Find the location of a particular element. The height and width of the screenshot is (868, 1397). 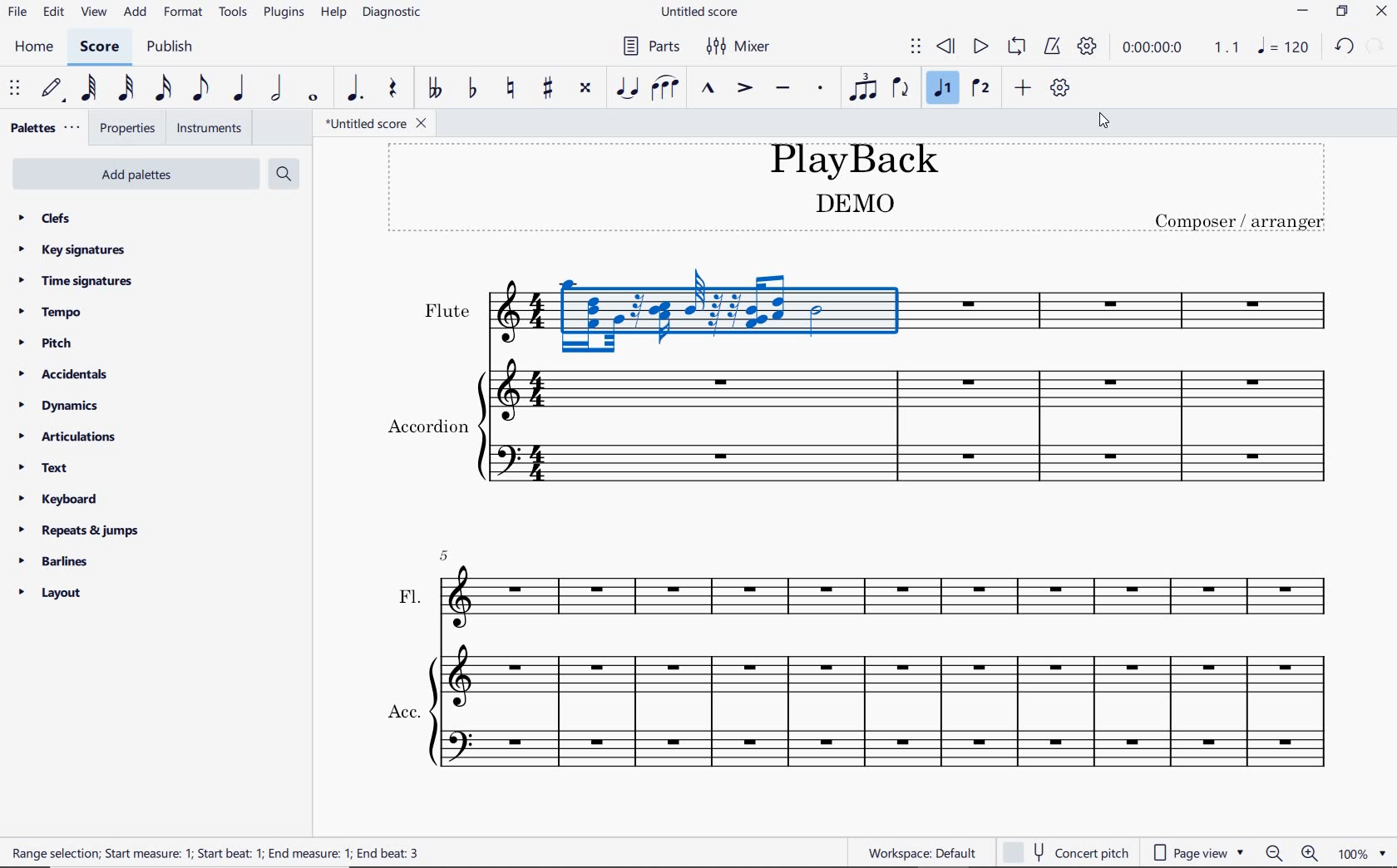

eighth note is located at coordinates (199, 89).